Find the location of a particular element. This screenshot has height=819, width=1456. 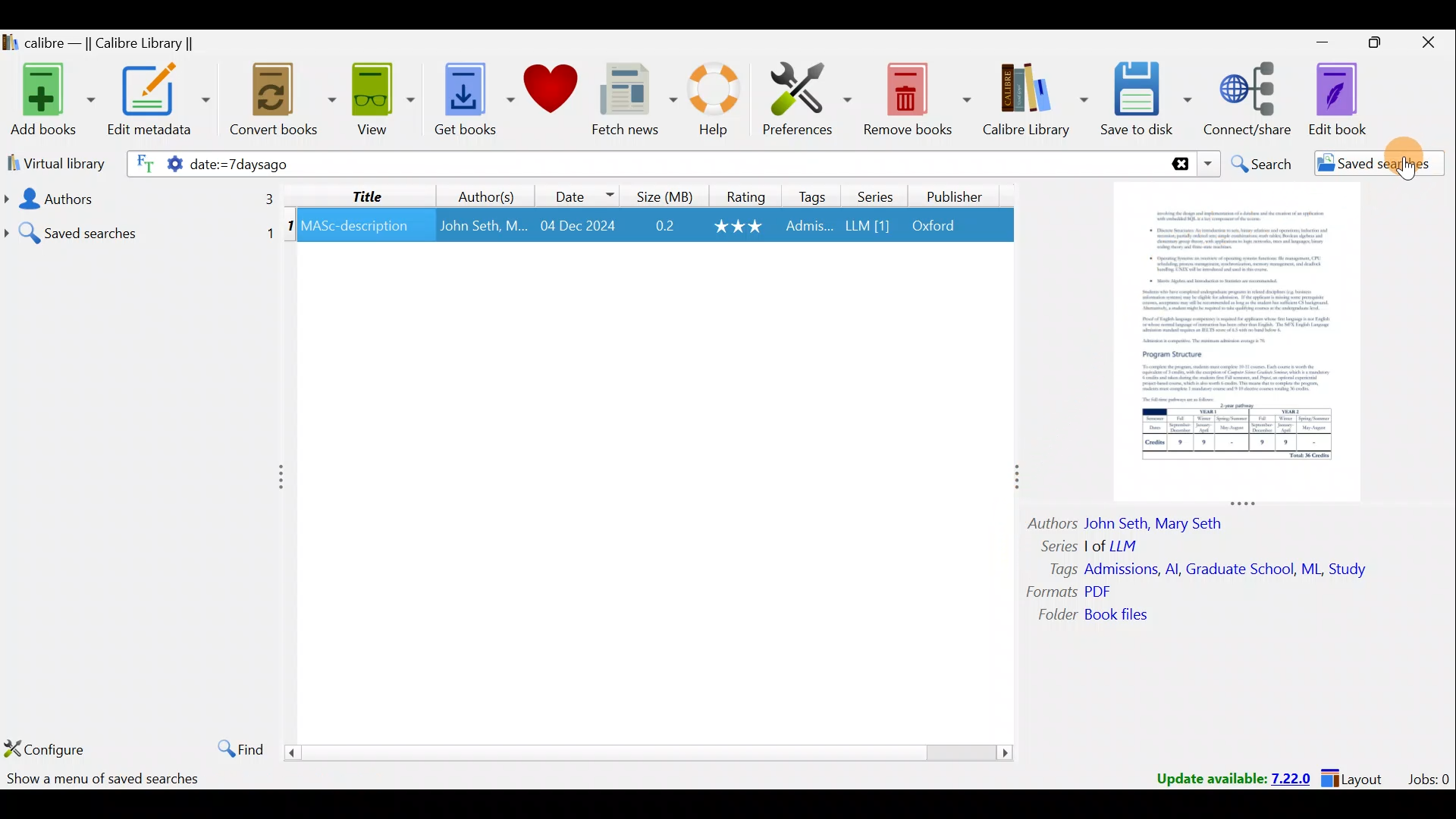

Preferences is located at coordinates (809, 96).